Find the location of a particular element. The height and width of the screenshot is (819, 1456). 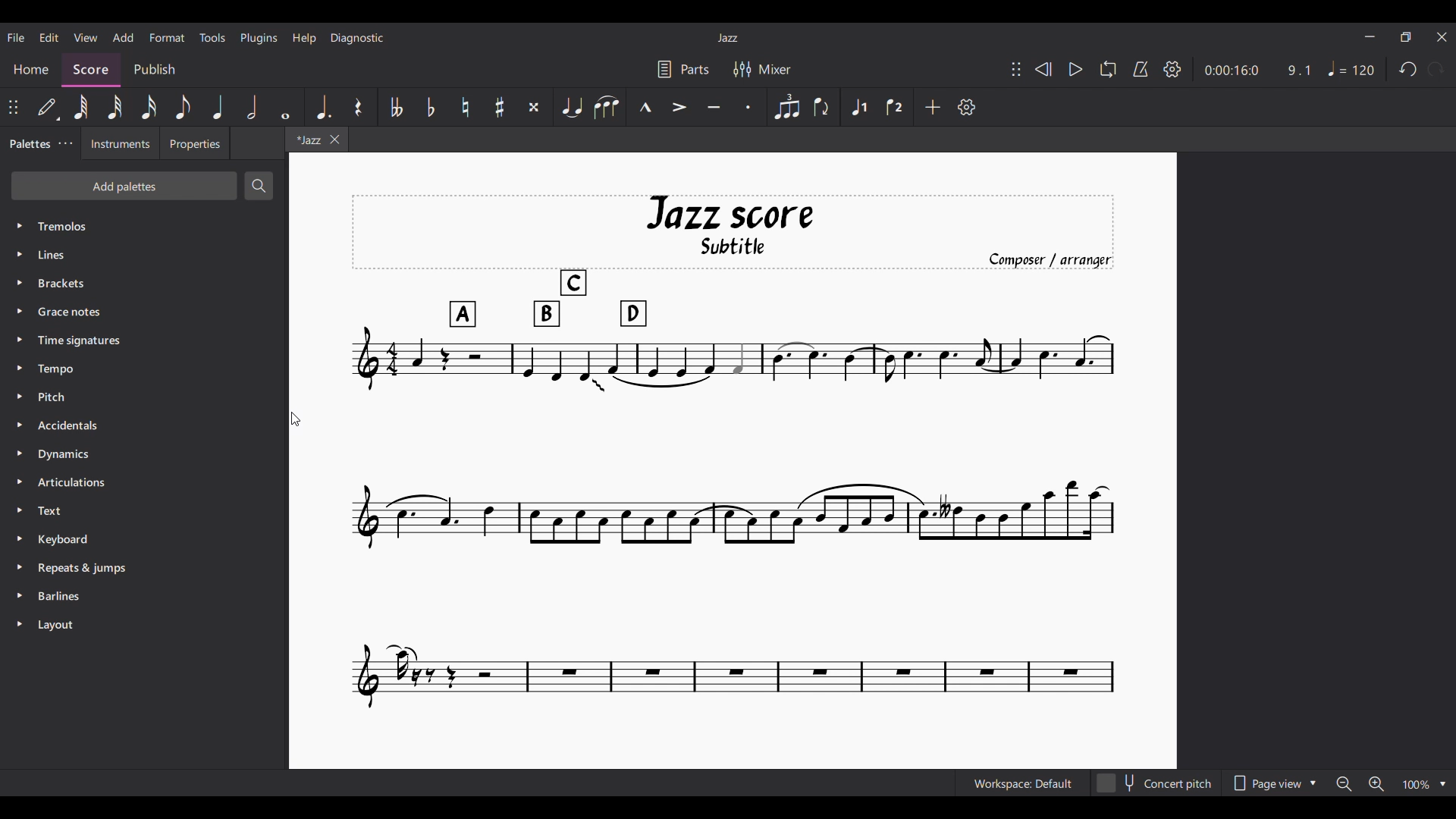

Edit menu is located at coordinates (49, 37).